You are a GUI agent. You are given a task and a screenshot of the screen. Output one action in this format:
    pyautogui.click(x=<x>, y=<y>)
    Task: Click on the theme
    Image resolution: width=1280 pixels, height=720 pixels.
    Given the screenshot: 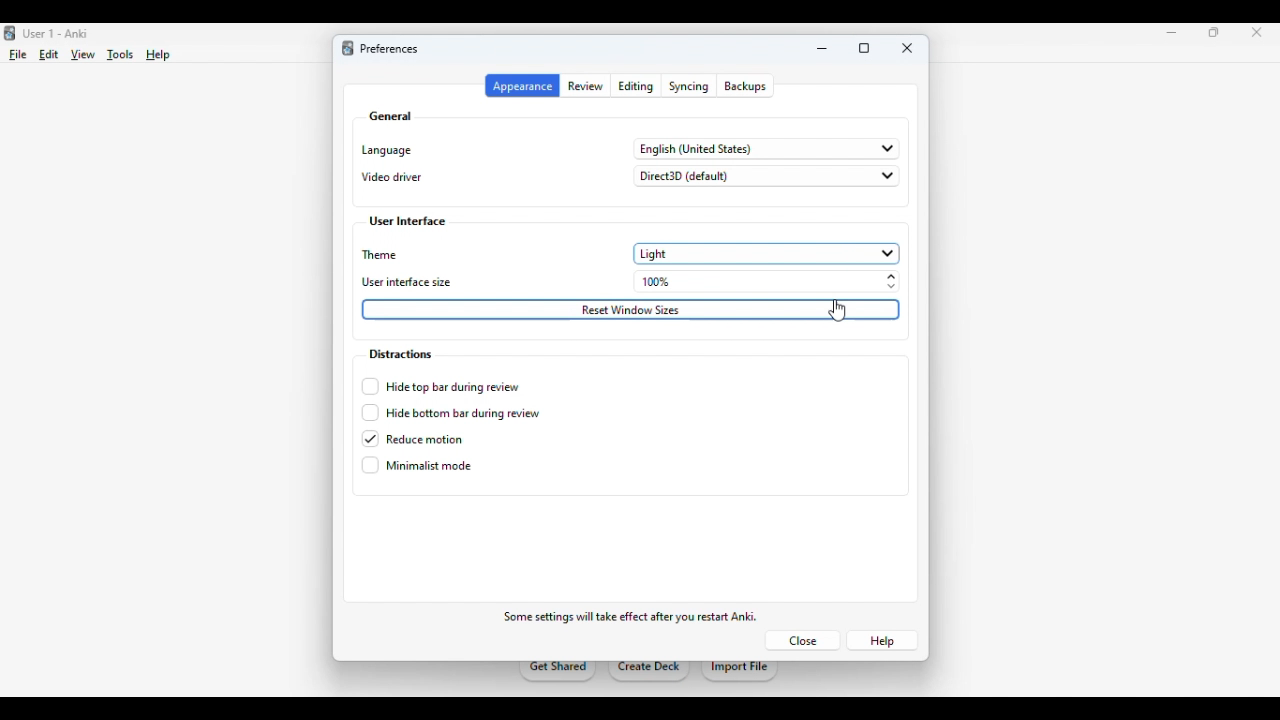 What is the action you would take?
    pyautogui.click(x=382, y=255)
    